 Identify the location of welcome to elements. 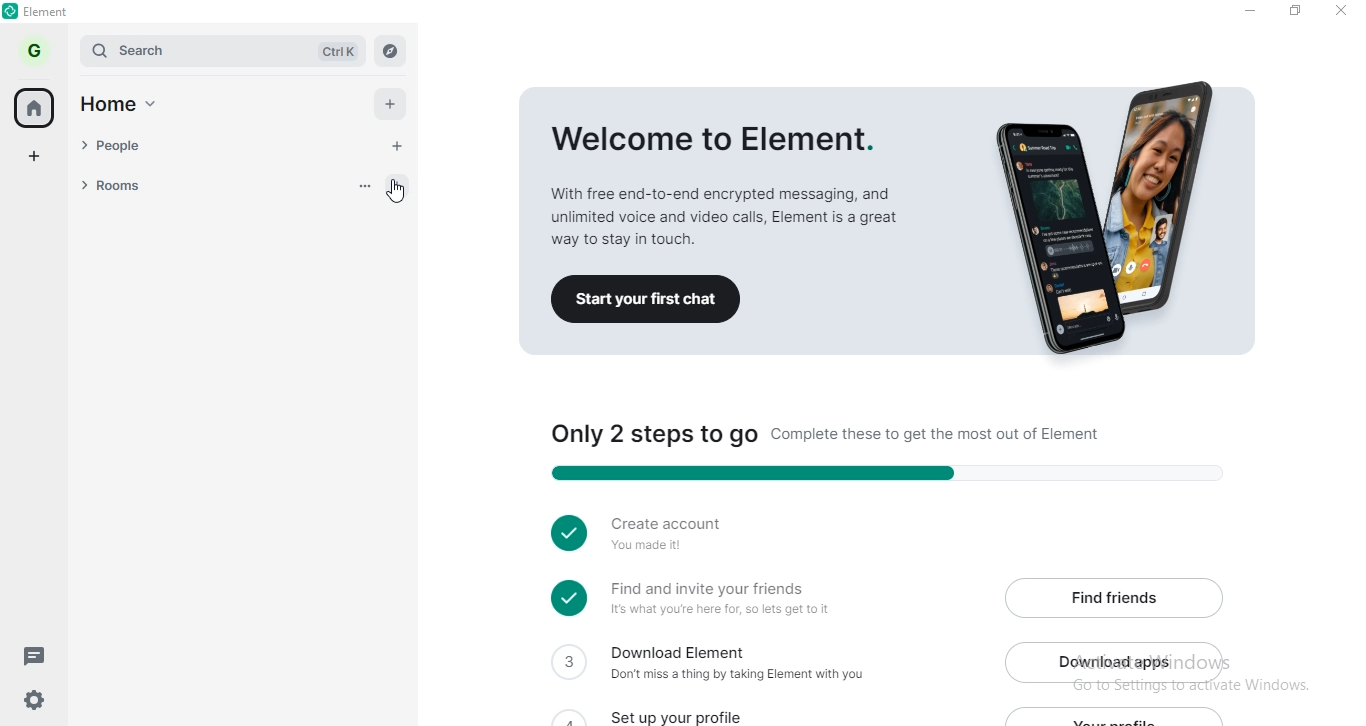
(891, 163).